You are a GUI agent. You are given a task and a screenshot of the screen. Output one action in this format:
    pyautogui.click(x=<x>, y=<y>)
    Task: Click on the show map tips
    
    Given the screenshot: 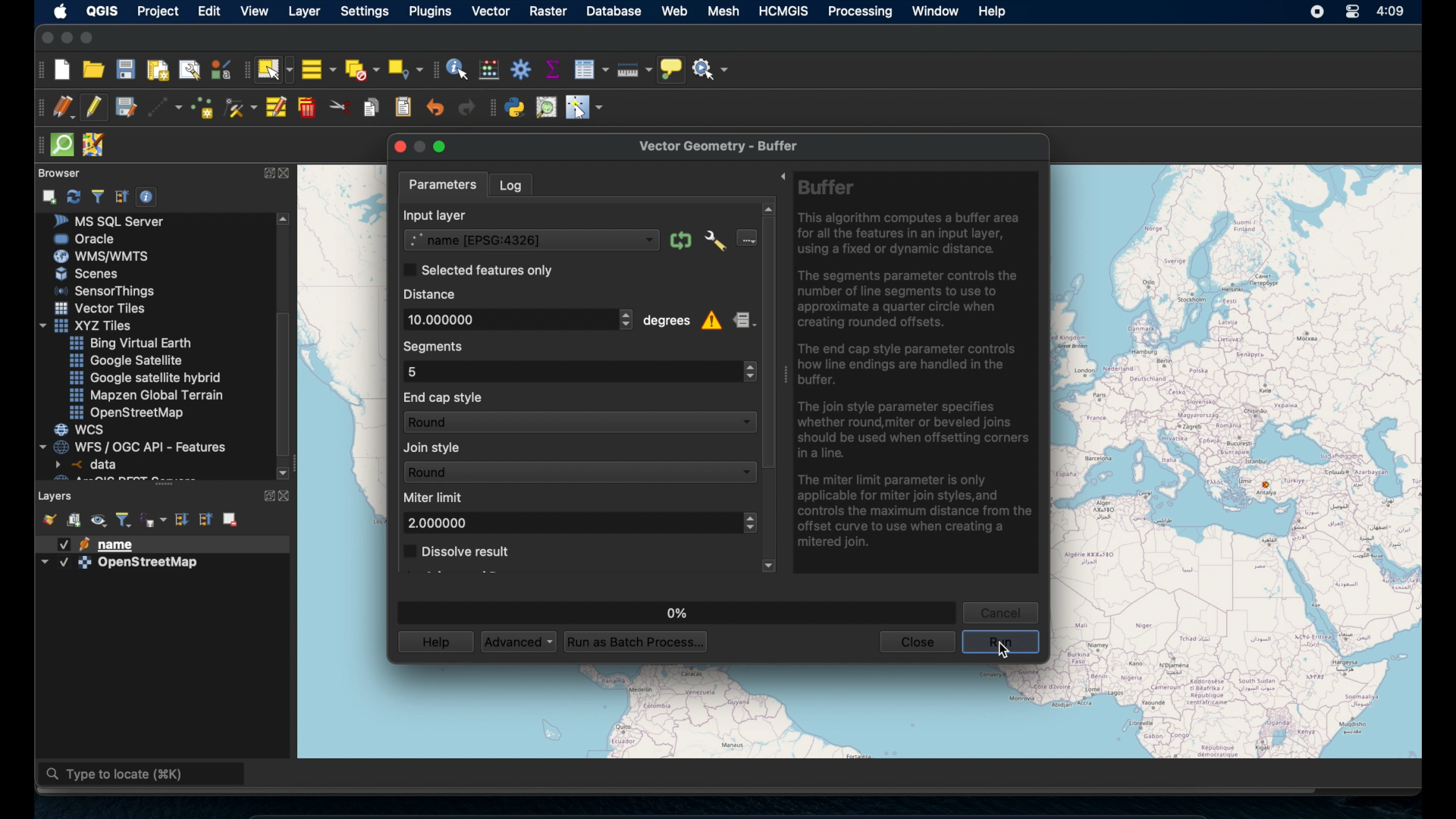 What is the action you would take?
    pyautogui.click(x=673, y=69)
    